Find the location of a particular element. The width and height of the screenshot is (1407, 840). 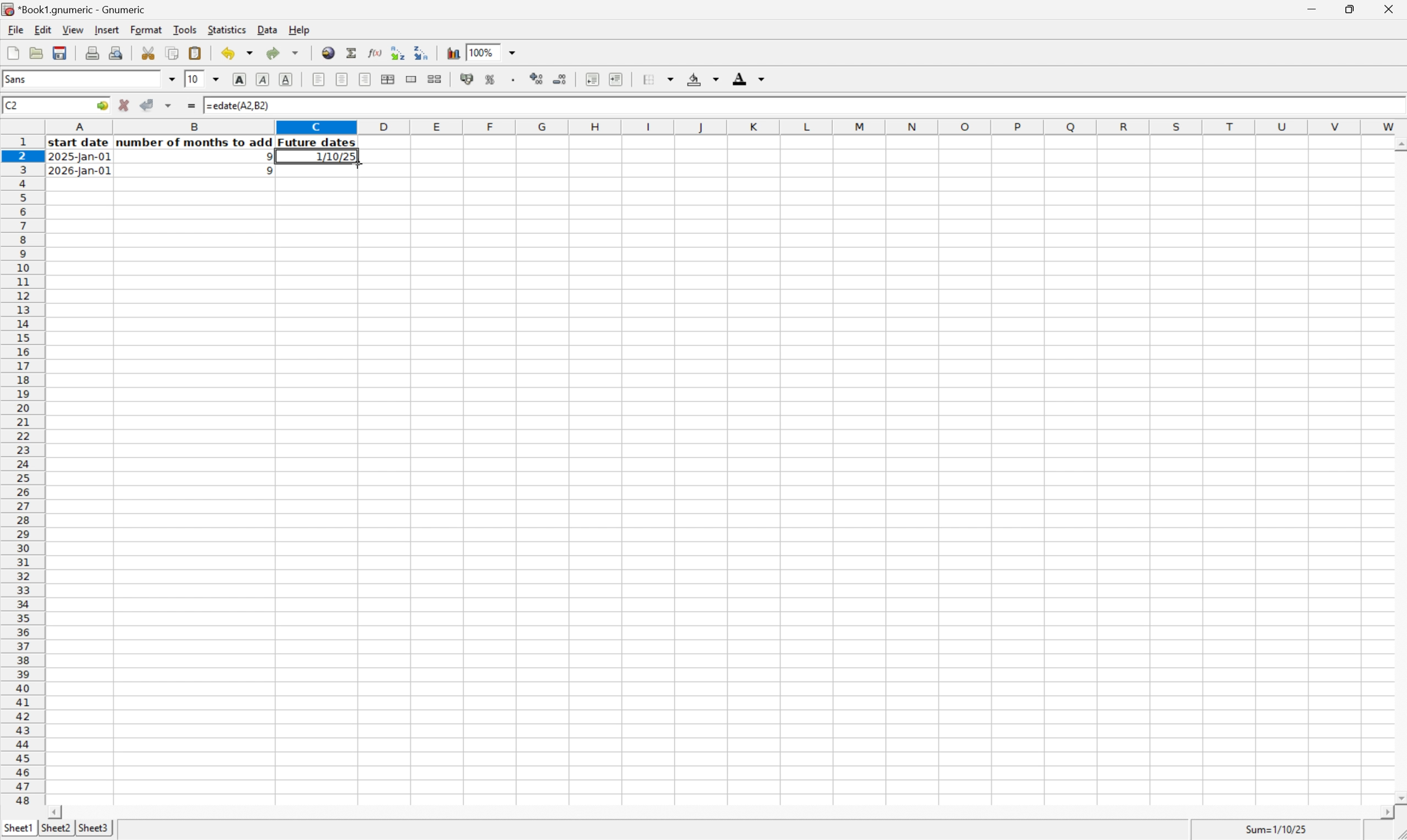

Split the ranges of merged cells is located at coordinates (434, 78).